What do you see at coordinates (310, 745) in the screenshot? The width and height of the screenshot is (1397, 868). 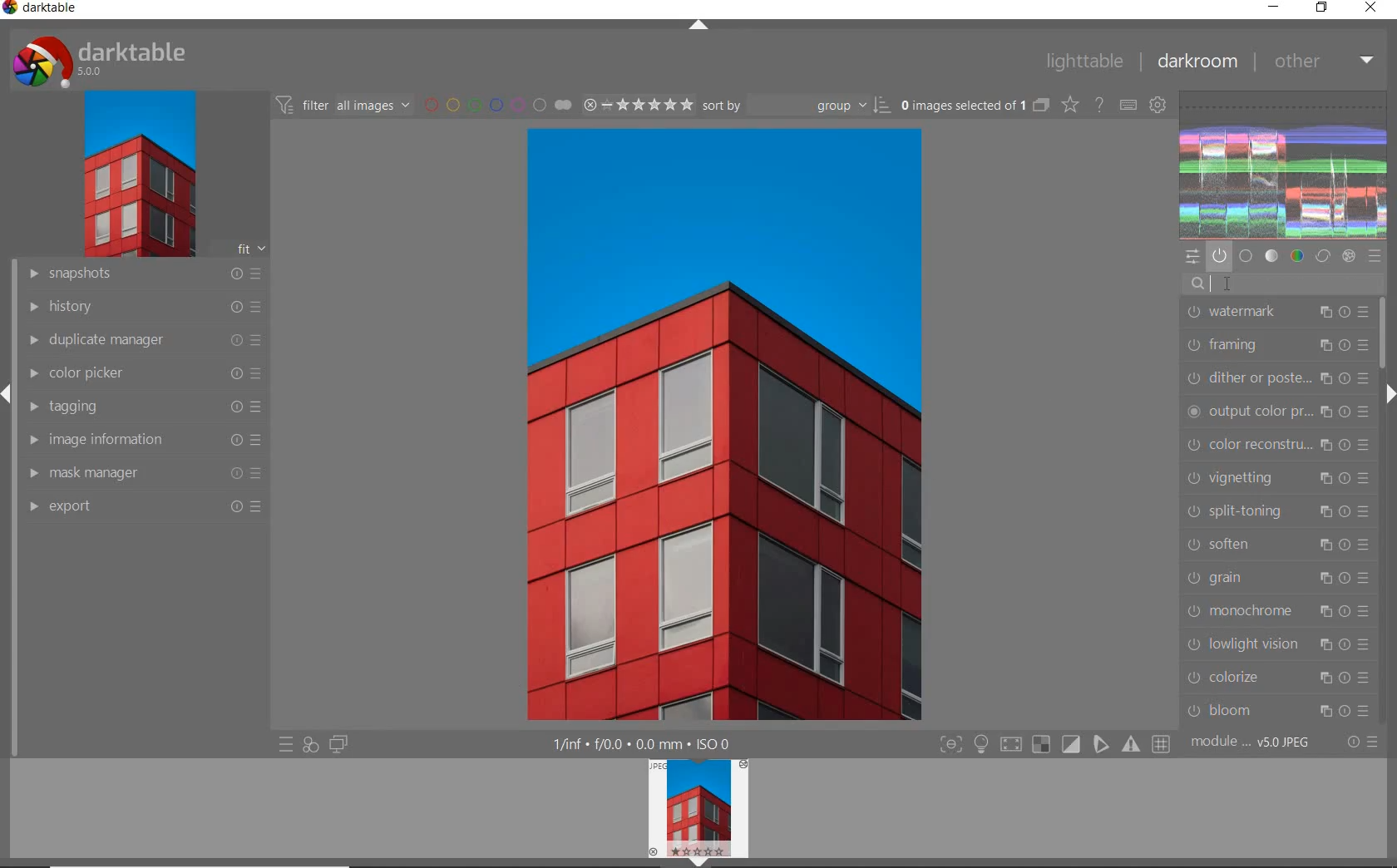 I see `quick access for applying any of your style` at bounding box center [310, 745].